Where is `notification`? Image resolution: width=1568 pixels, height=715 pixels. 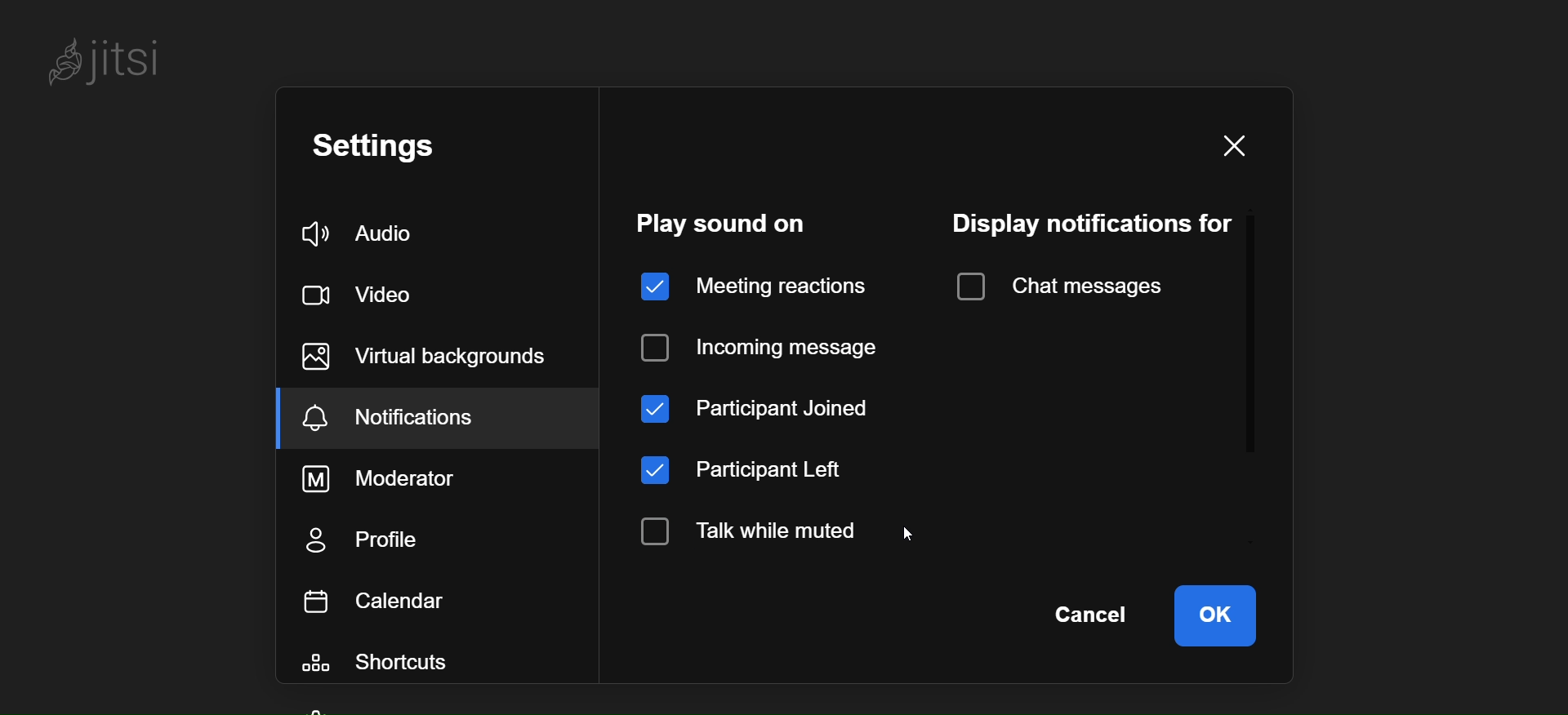
notification is located at coordinates (405, 415).